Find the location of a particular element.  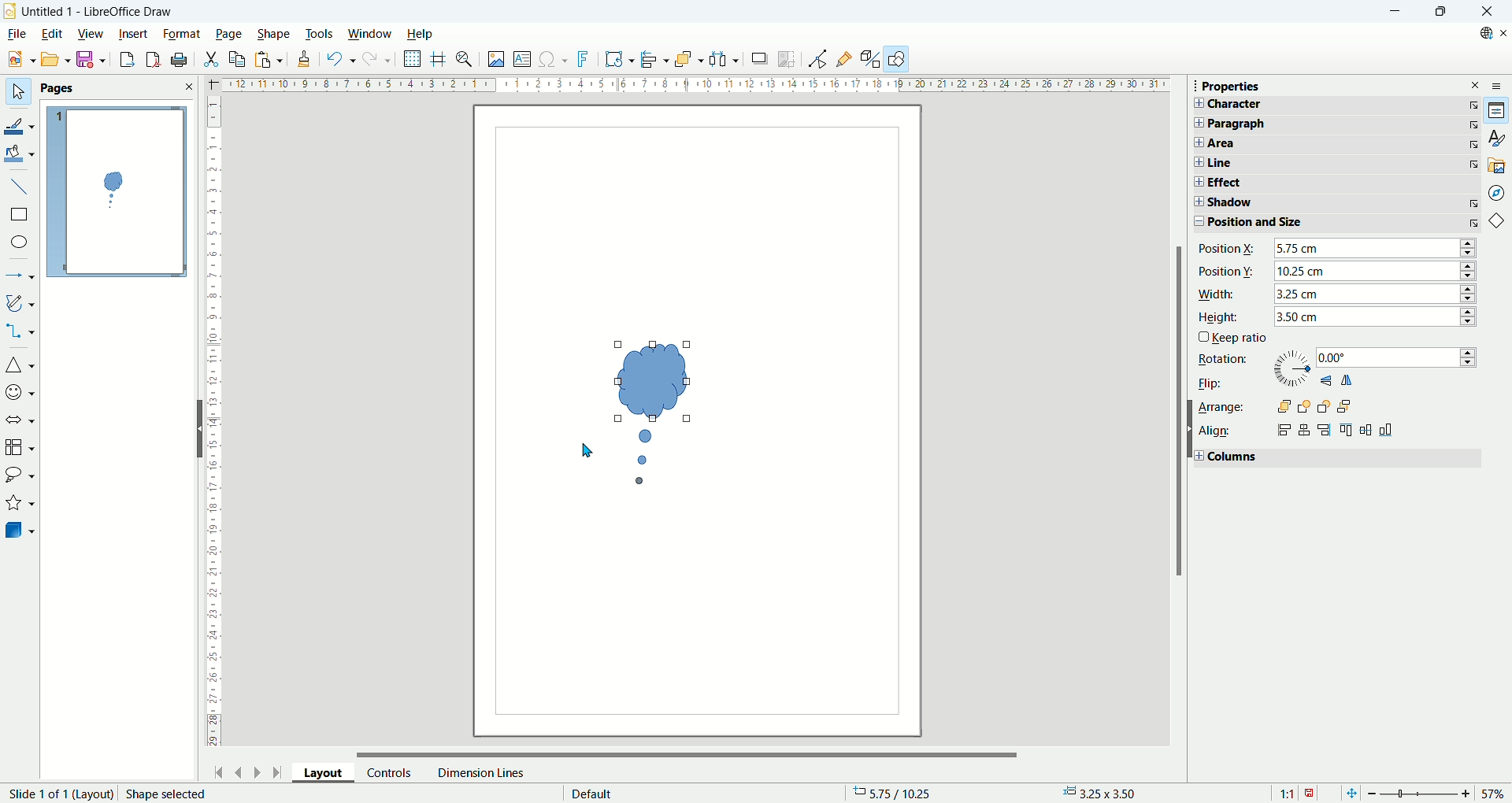

layout is located at coordinates (329, 775).